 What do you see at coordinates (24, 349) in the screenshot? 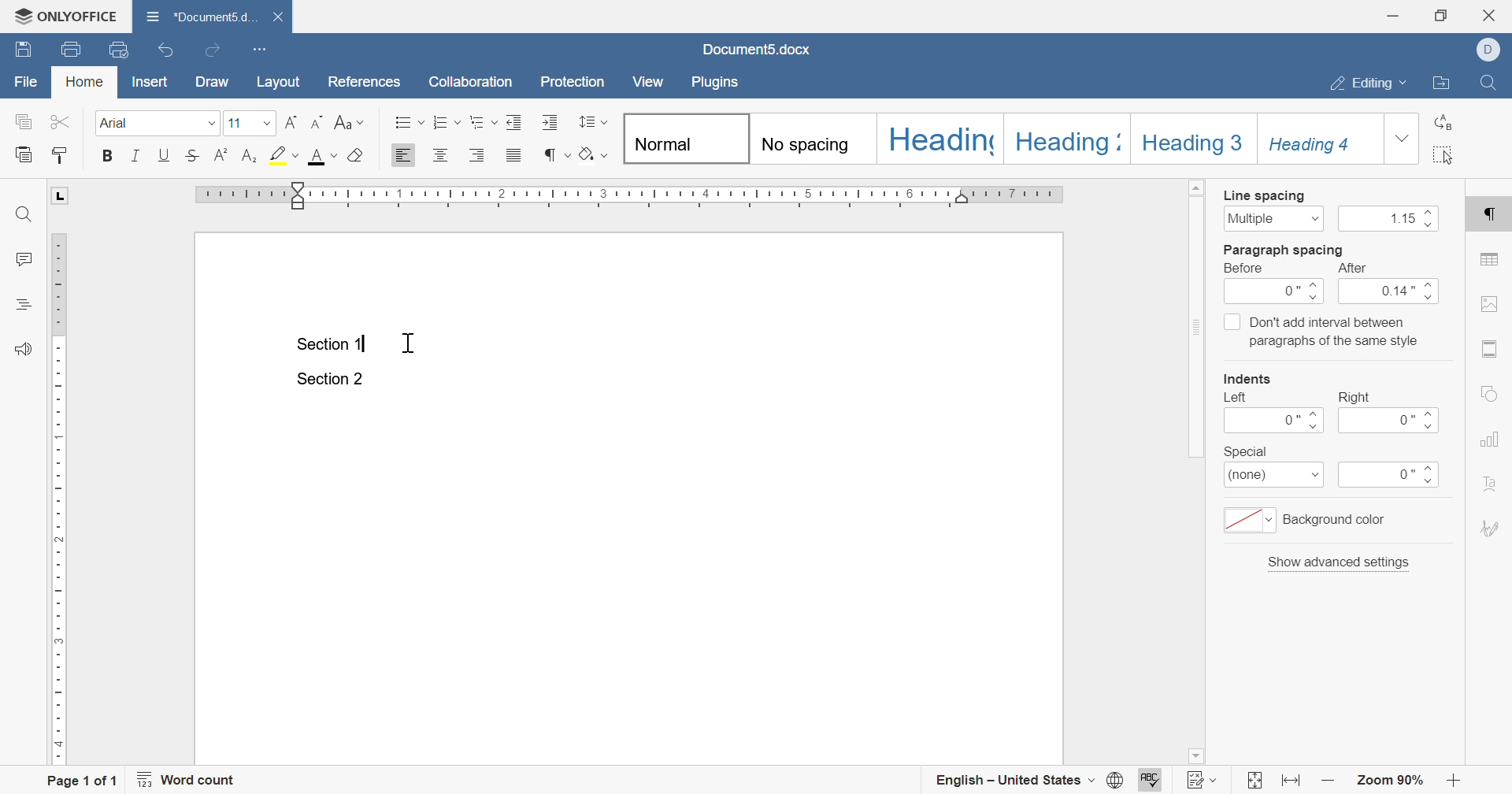
I see `feedback & support` at bounding box center [24, 349].